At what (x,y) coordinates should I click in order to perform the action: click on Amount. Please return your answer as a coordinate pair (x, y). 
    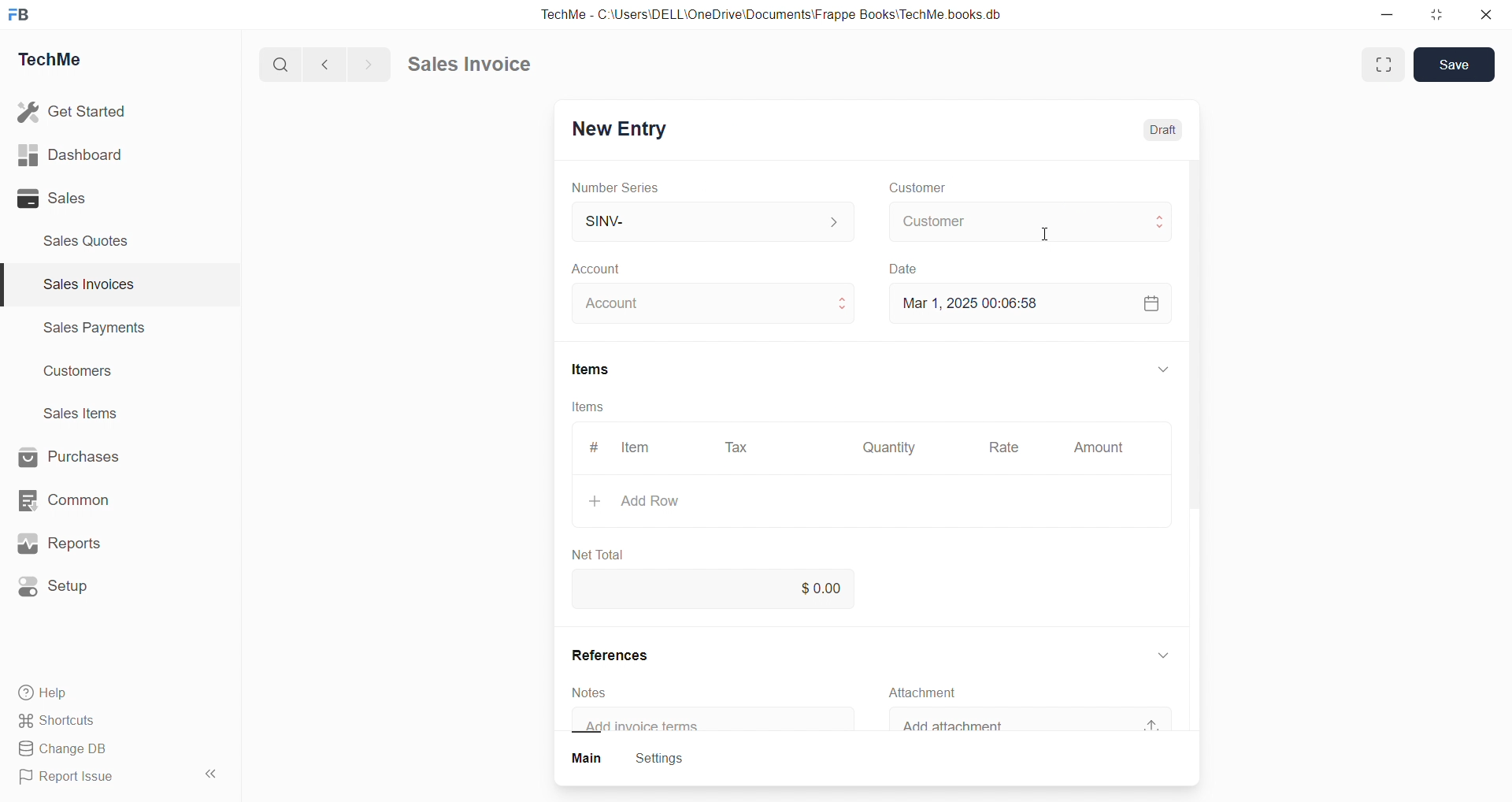
    Looking at the image, I should click on (1098, 448).